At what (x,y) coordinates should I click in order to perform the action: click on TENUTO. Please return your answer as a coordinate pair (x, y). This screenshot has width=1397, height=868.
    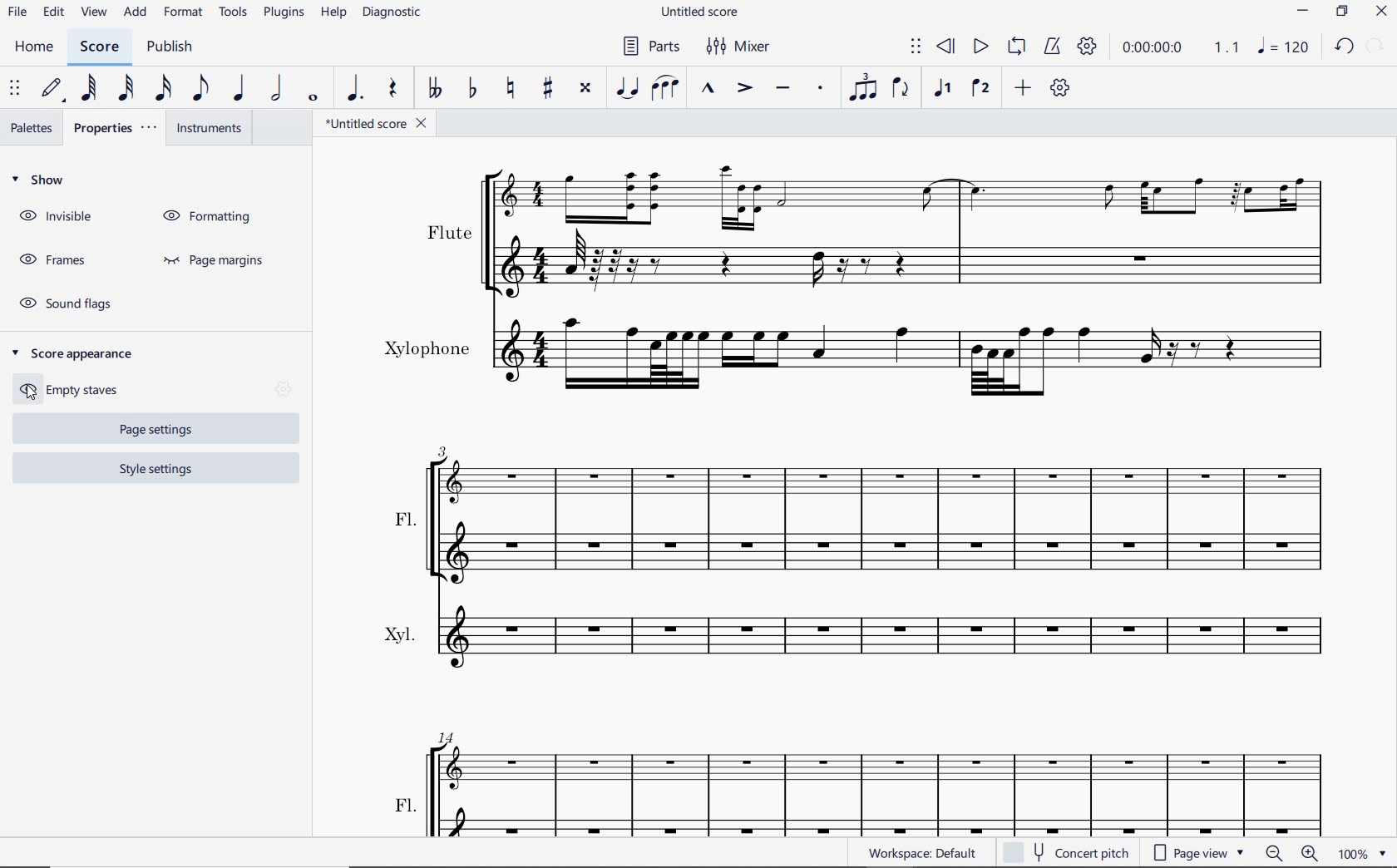
    Looking at the image, I should click on (782, 88).